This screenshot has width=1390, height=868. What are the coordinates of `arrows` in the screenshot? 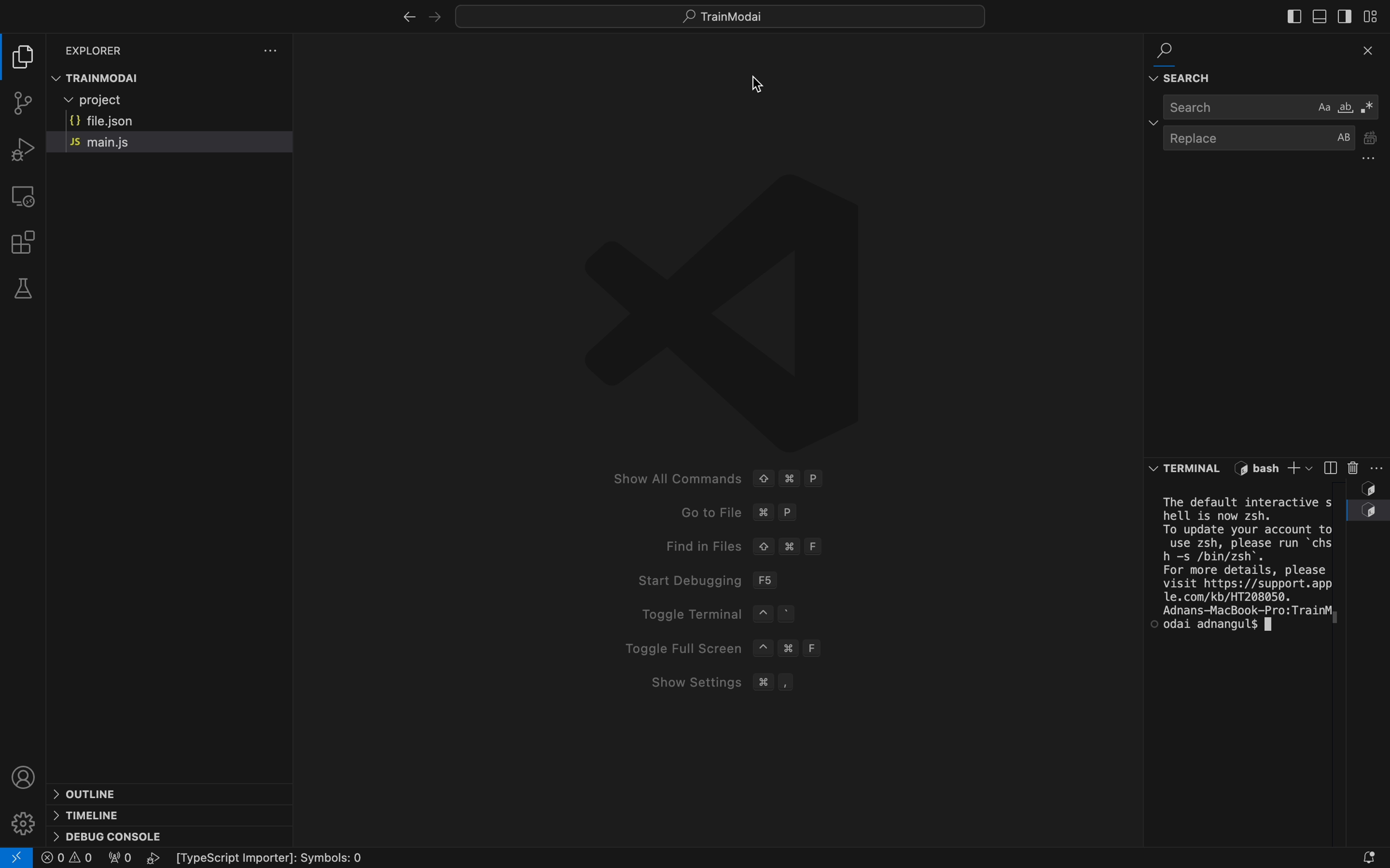 It's located at (421, 16).